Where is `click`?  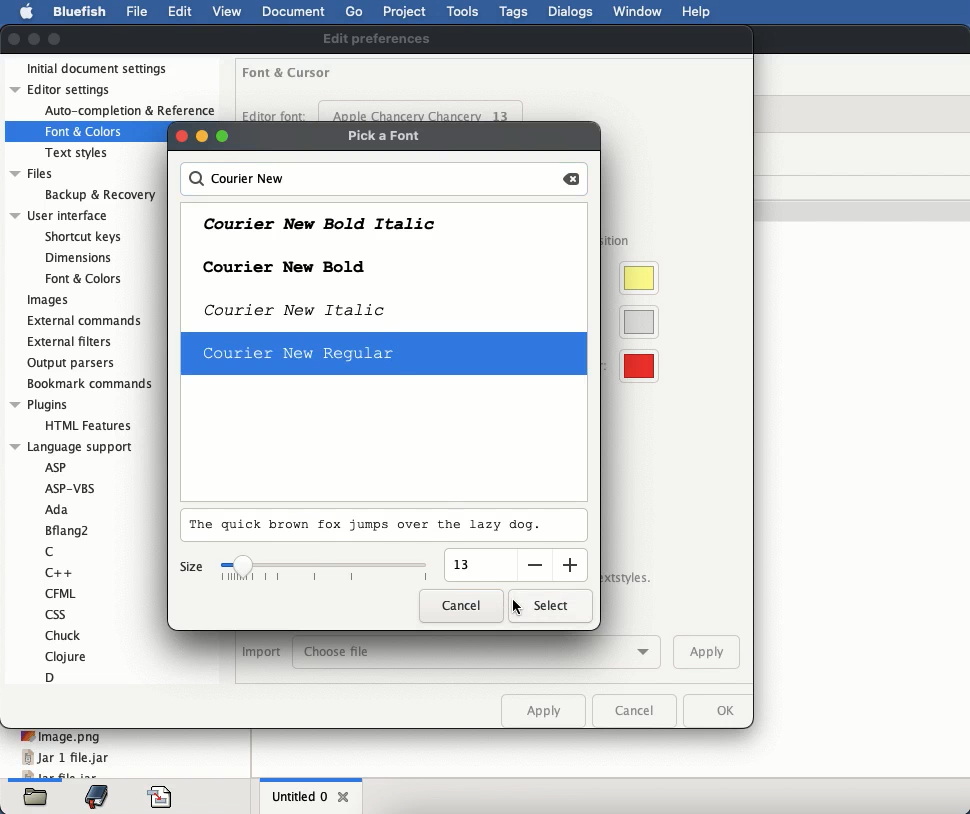
click is located at coordinates (520, 608).